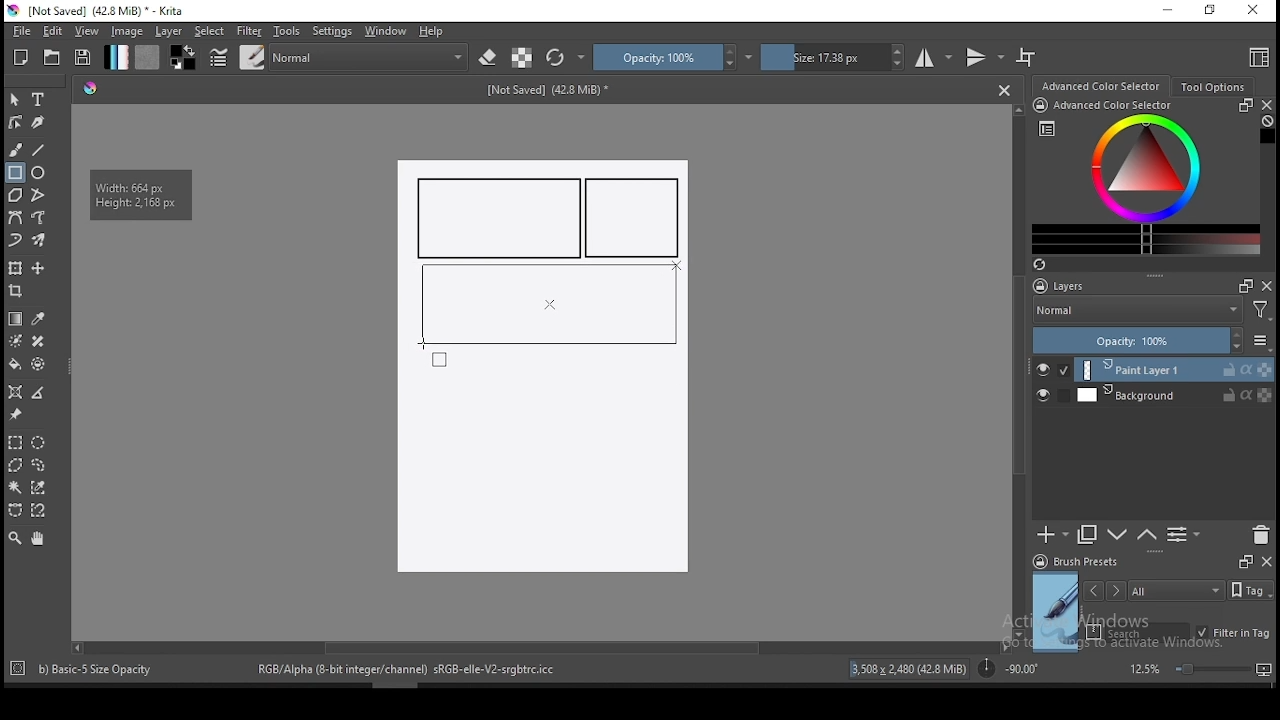 The width and height of the screenshot is (1280, 720). What do you see at coordinates (1266, 560) in the screenshot?
I see `close docker` at bounding box center [1266, 560].